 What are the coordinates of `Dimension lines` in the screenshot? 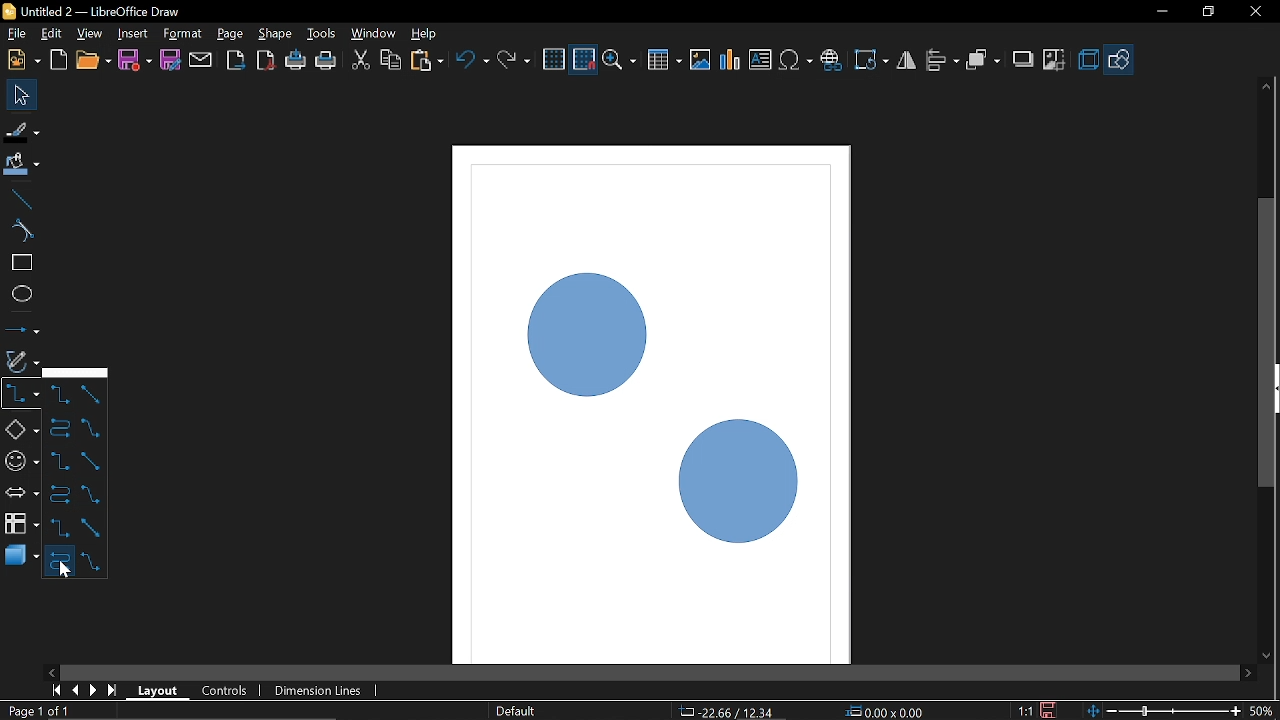 It's located at (324, 690).